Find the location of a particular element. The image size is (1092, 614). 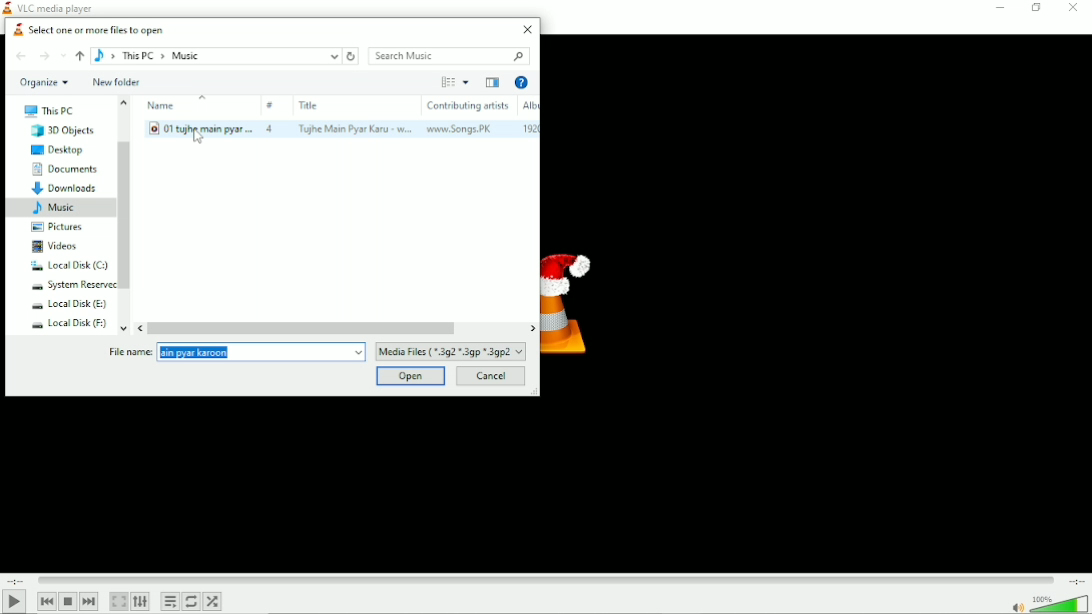

Volume is located at coordinates (1048, 603).